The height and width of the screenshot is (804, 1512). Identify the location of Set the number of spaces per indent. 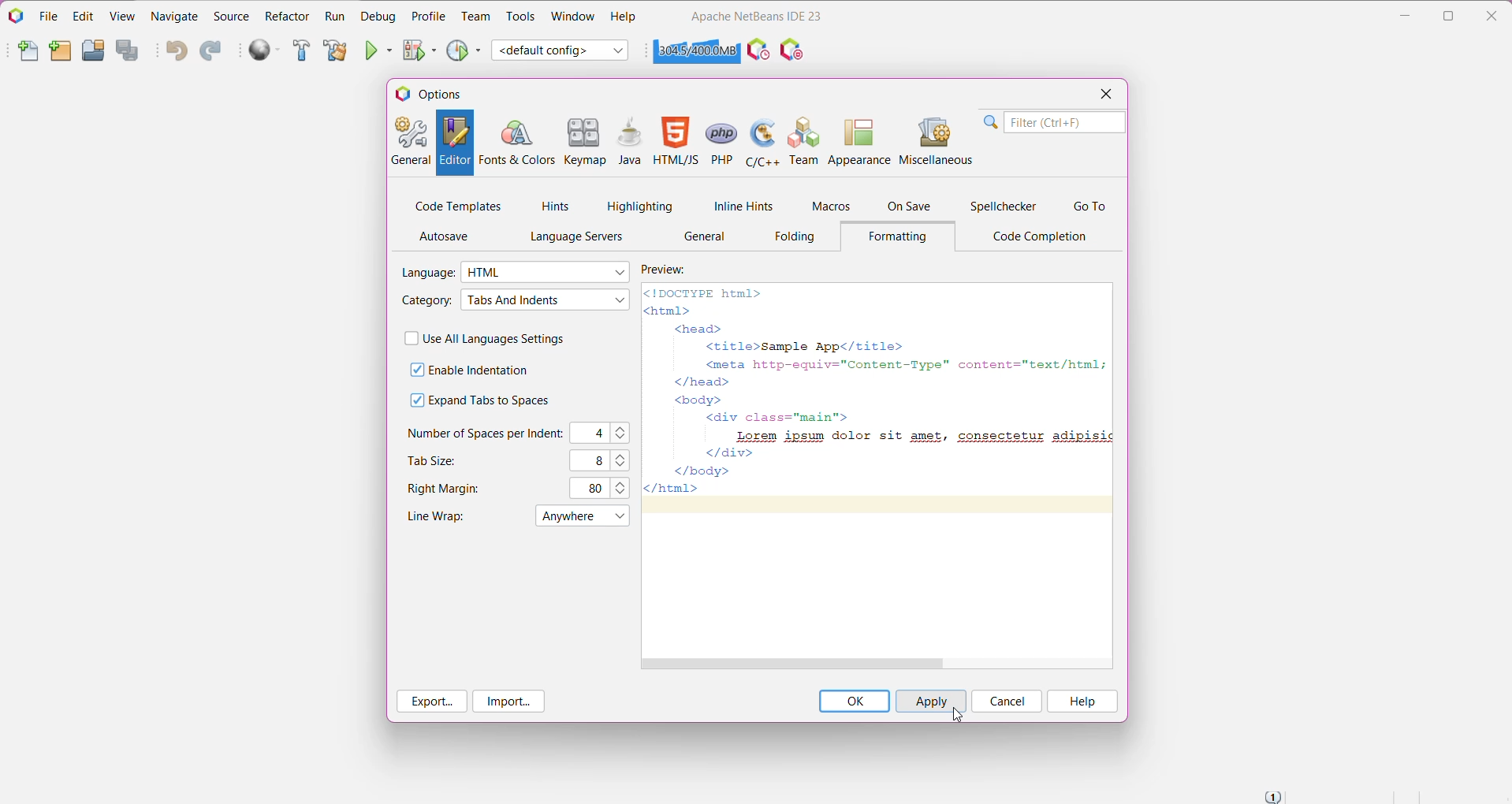
(623, 433).